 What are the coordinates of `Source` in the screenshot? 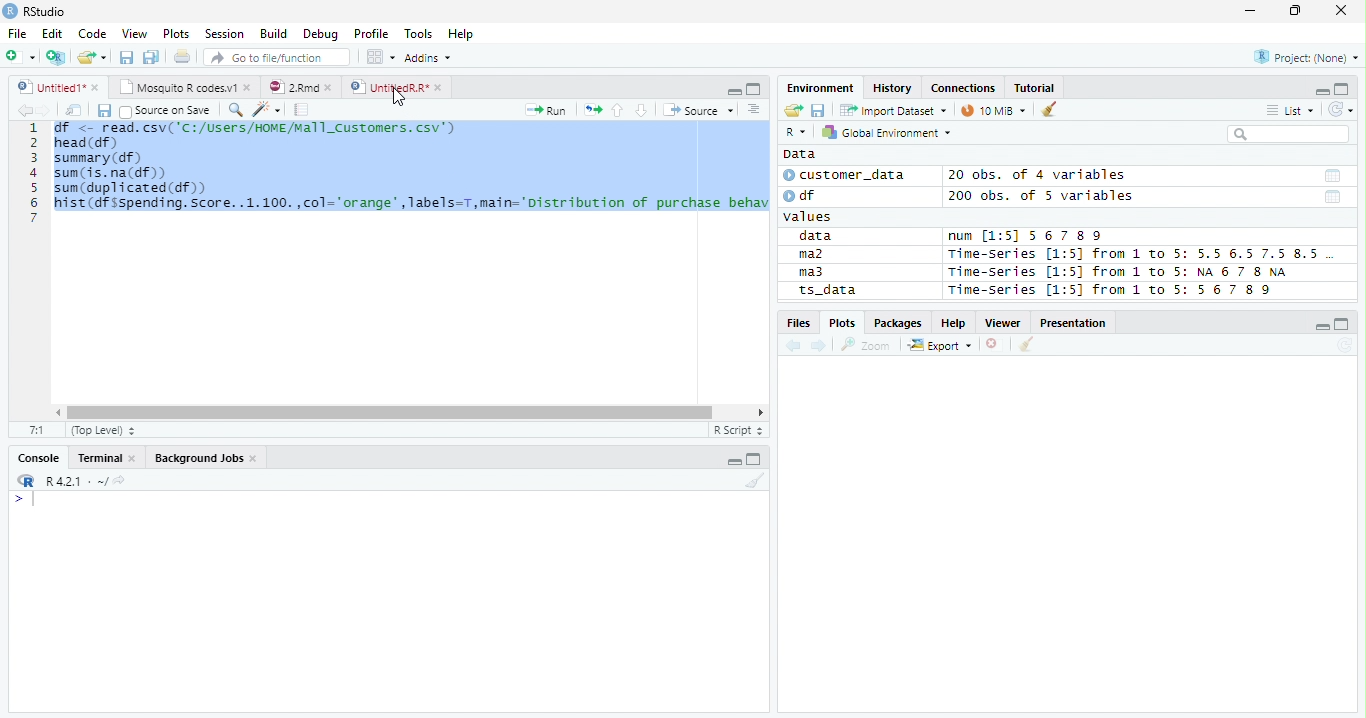 It's located at (696, 110).